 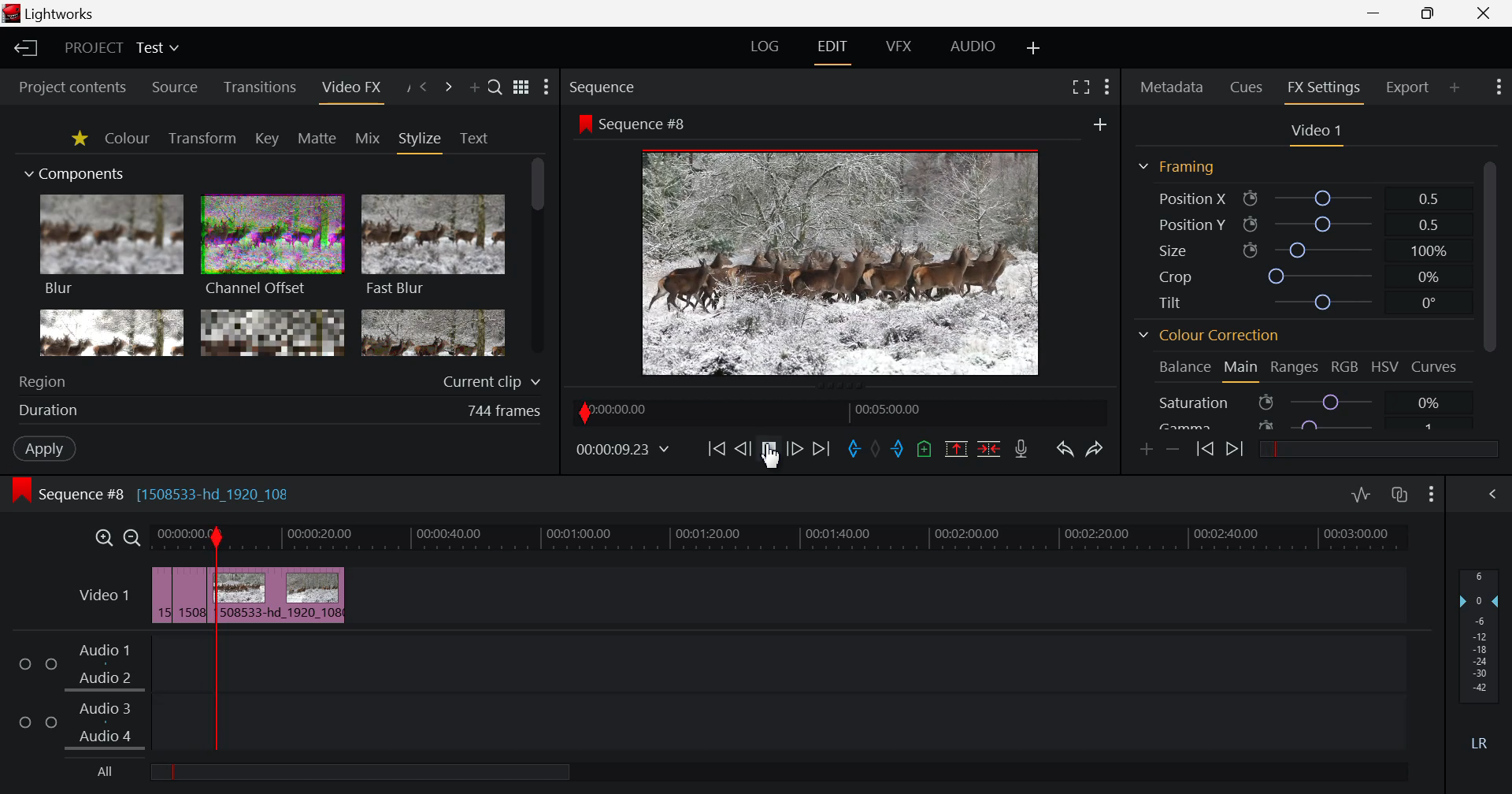 I want to click on Key, so click(x=266, y=139).